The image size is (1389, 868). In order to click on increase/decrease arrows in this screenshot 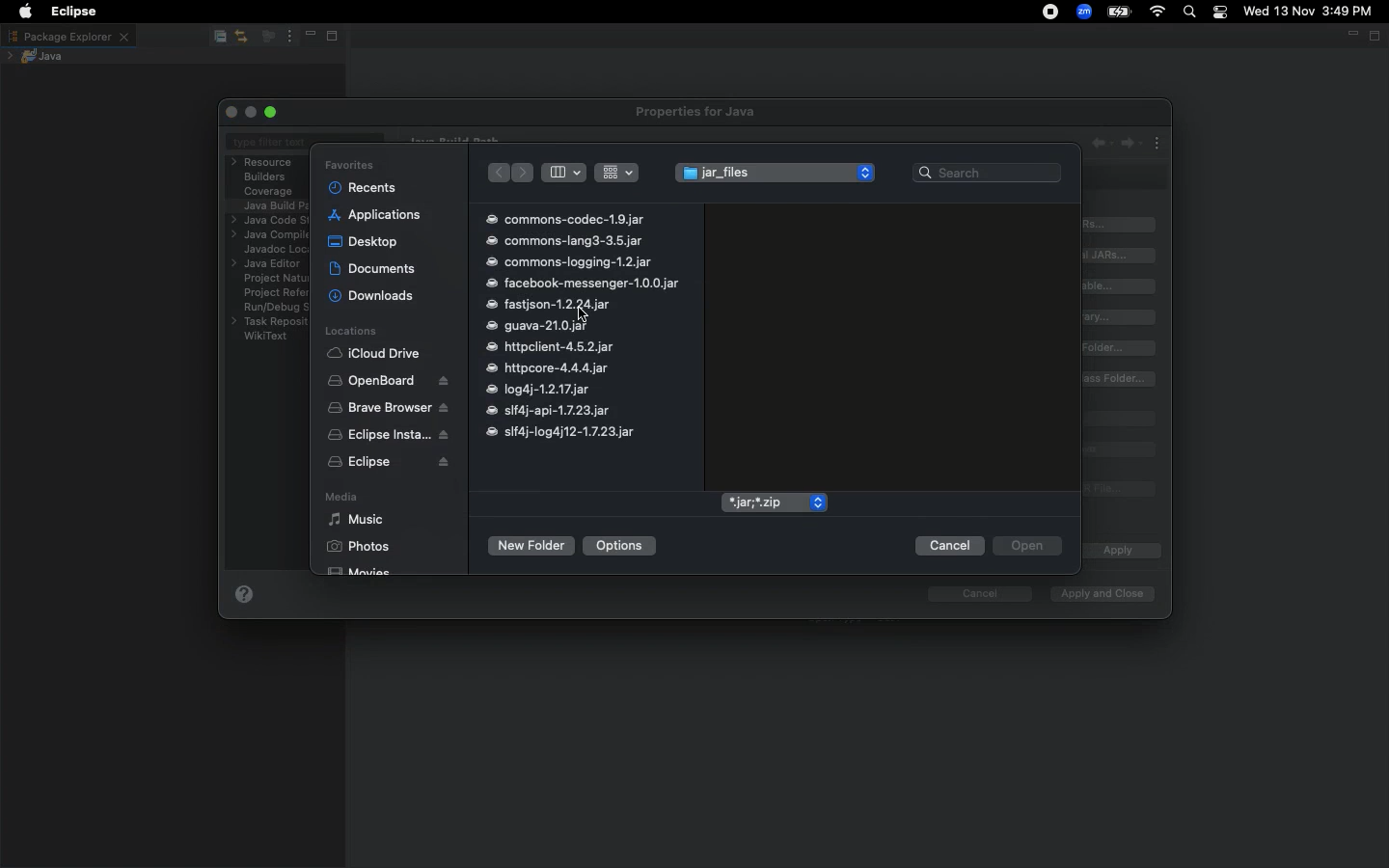, I will do `click(817, 502)`.